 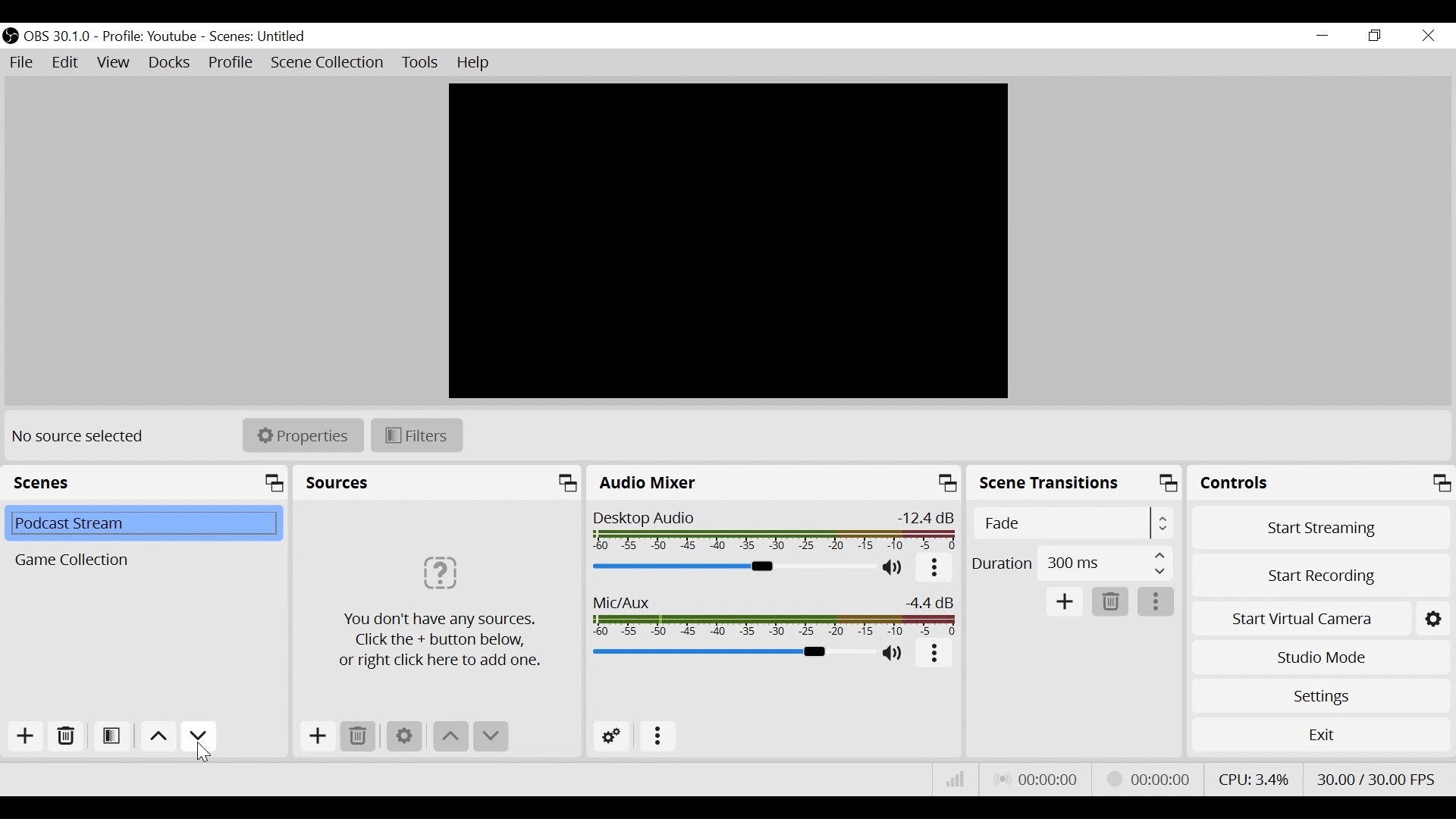 I want to click on more options, so click(x=1158, y=602).